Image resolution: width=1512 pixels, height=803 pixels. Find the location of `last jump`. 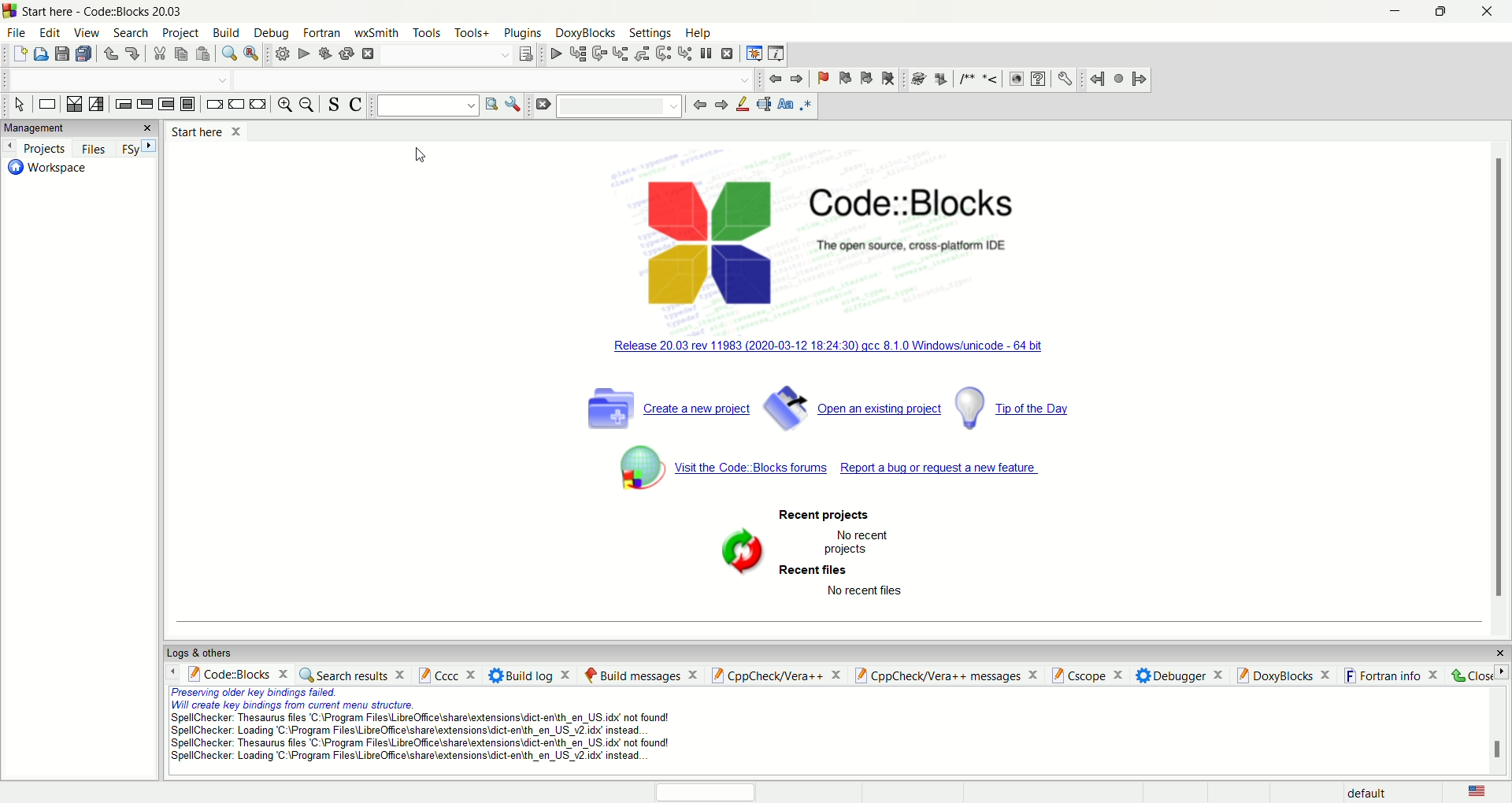

last jump is located at coordinates (1118, 79).